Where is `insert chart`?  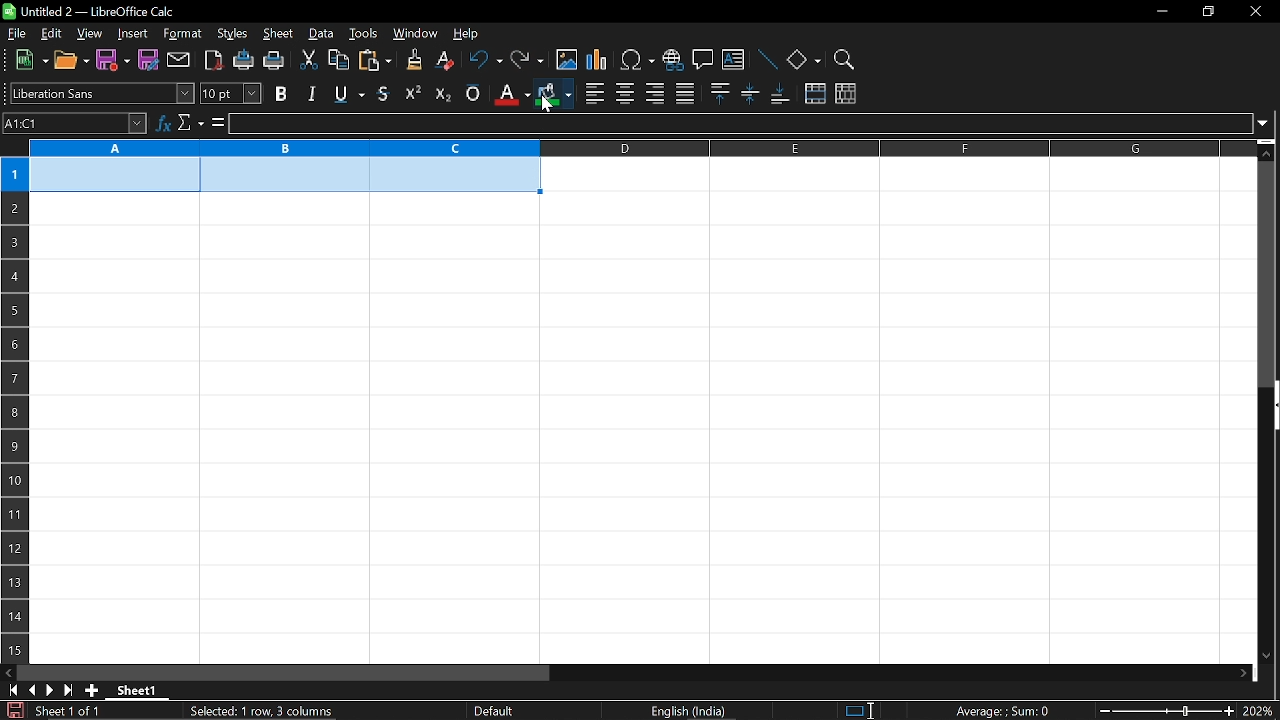 insert chart is located at coordinates (598, 61).